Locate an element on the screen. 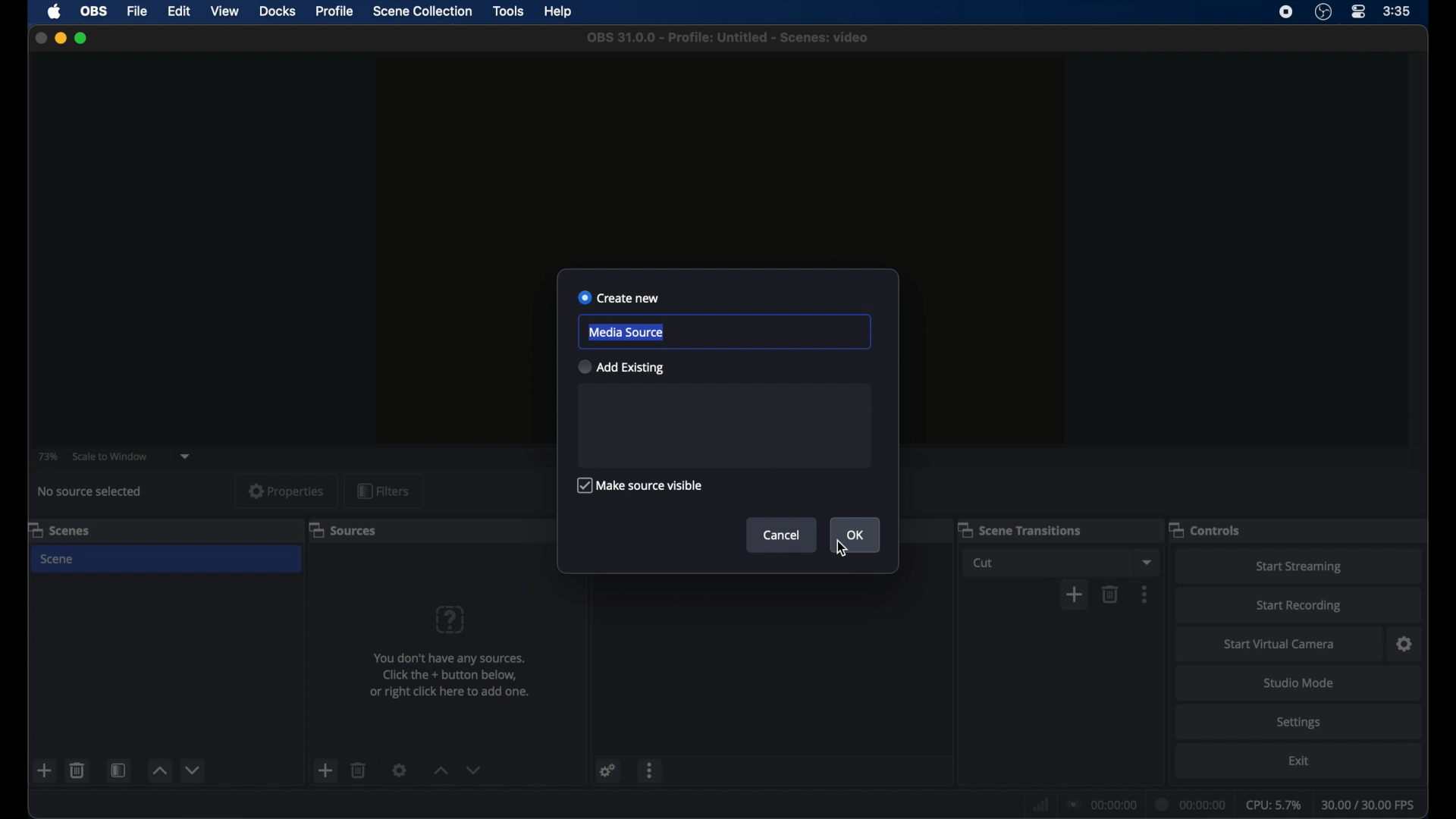 The image size is (1456, 819). info is located at coordinates (449, 675).